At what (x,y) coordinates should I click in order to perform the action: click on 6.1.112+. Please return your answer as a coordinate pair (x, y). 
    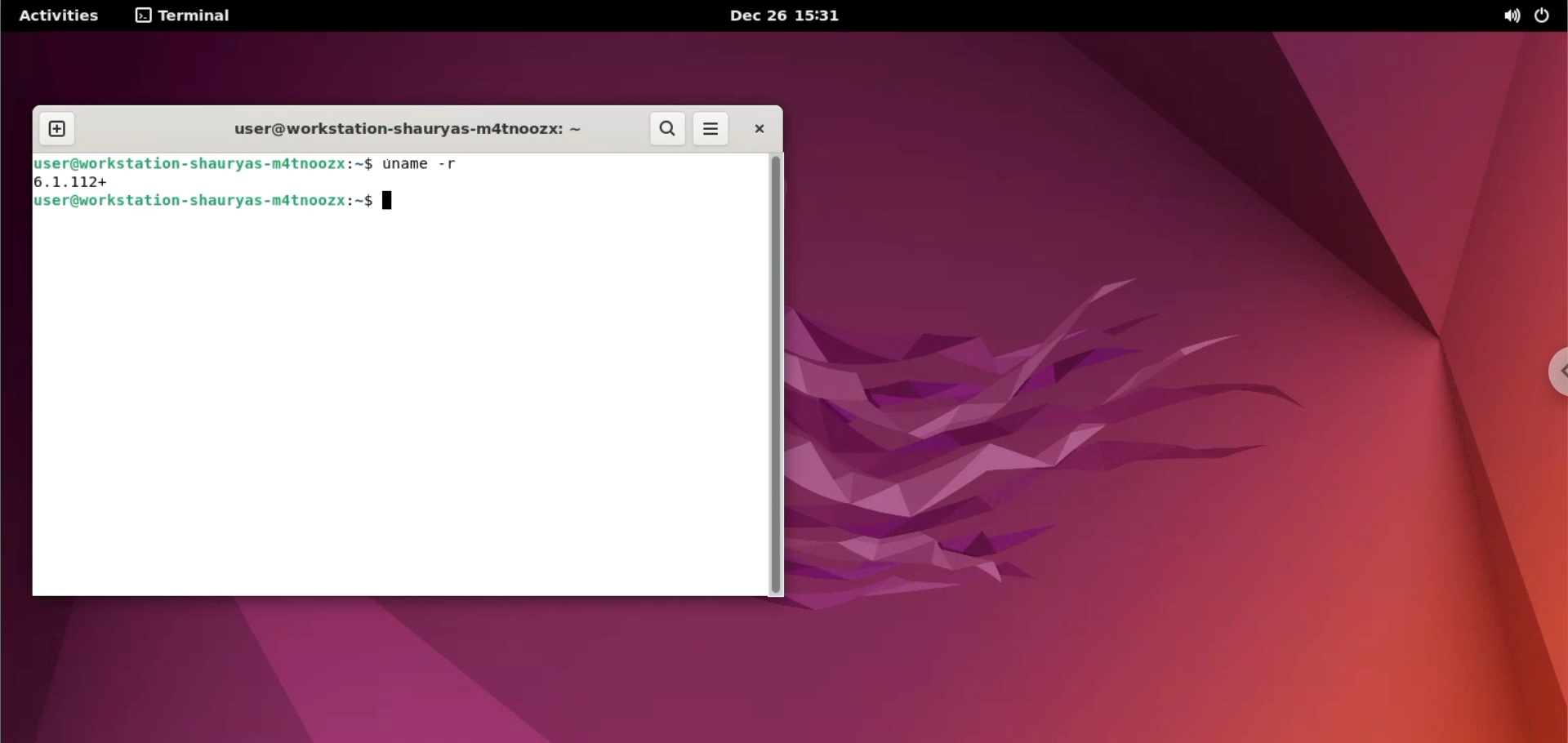
    Looking at the image, I should click on (79, 182).